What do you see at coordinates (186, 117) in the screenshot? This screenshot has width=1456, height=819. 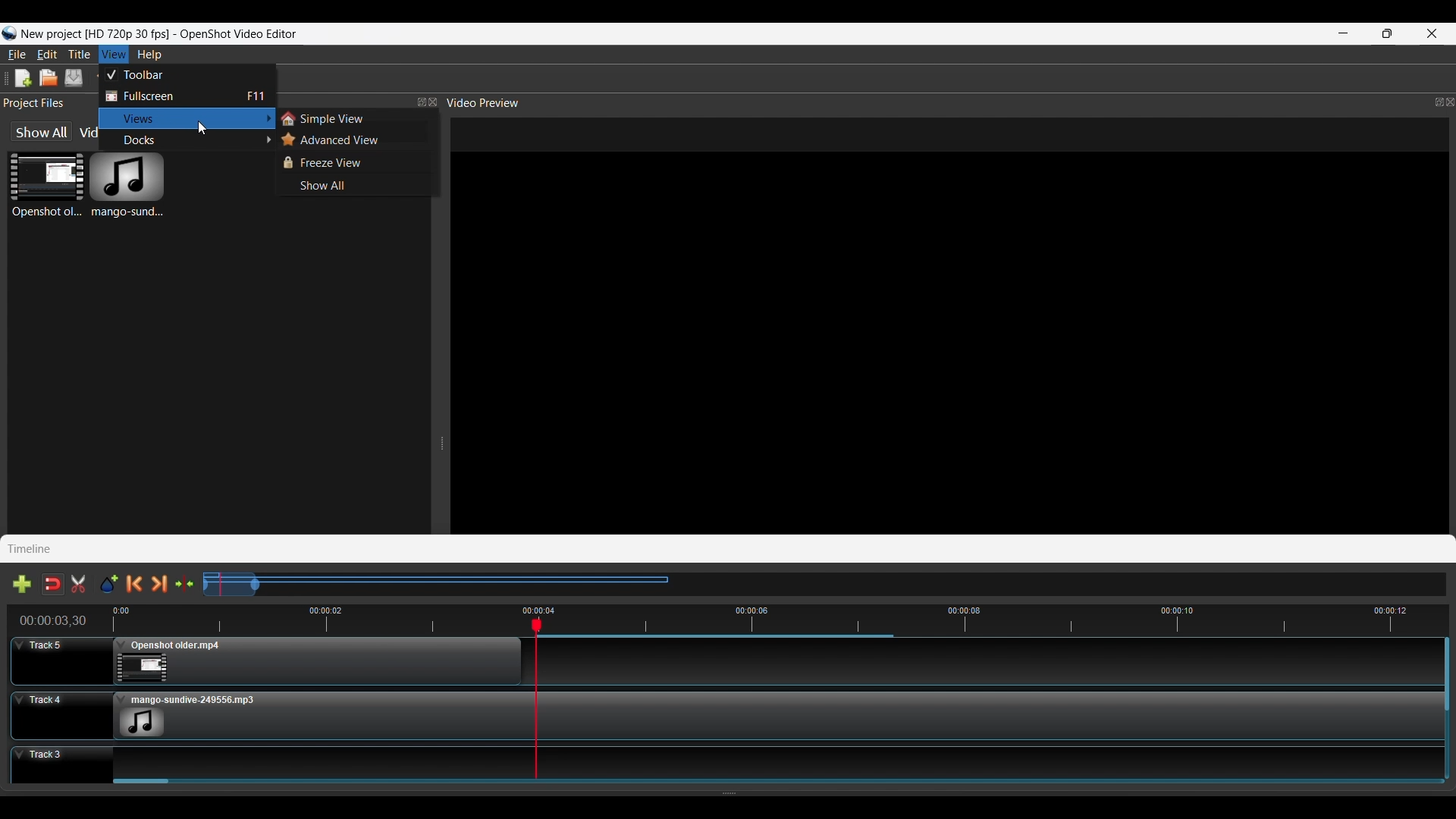 I see `Views` at bounding box center [186, 117].